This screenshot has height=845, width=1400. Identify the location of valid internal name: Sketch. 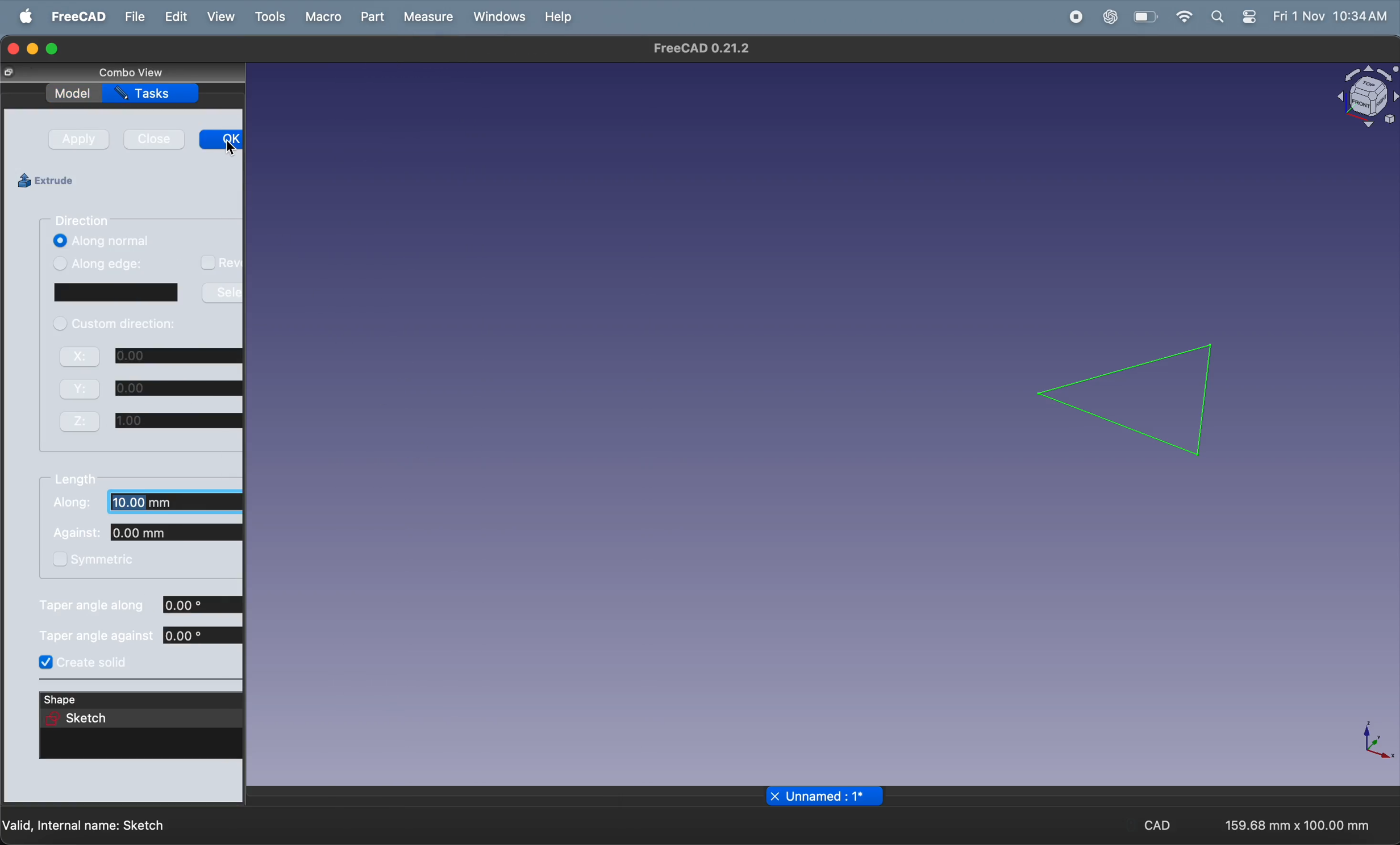
(86, 825).